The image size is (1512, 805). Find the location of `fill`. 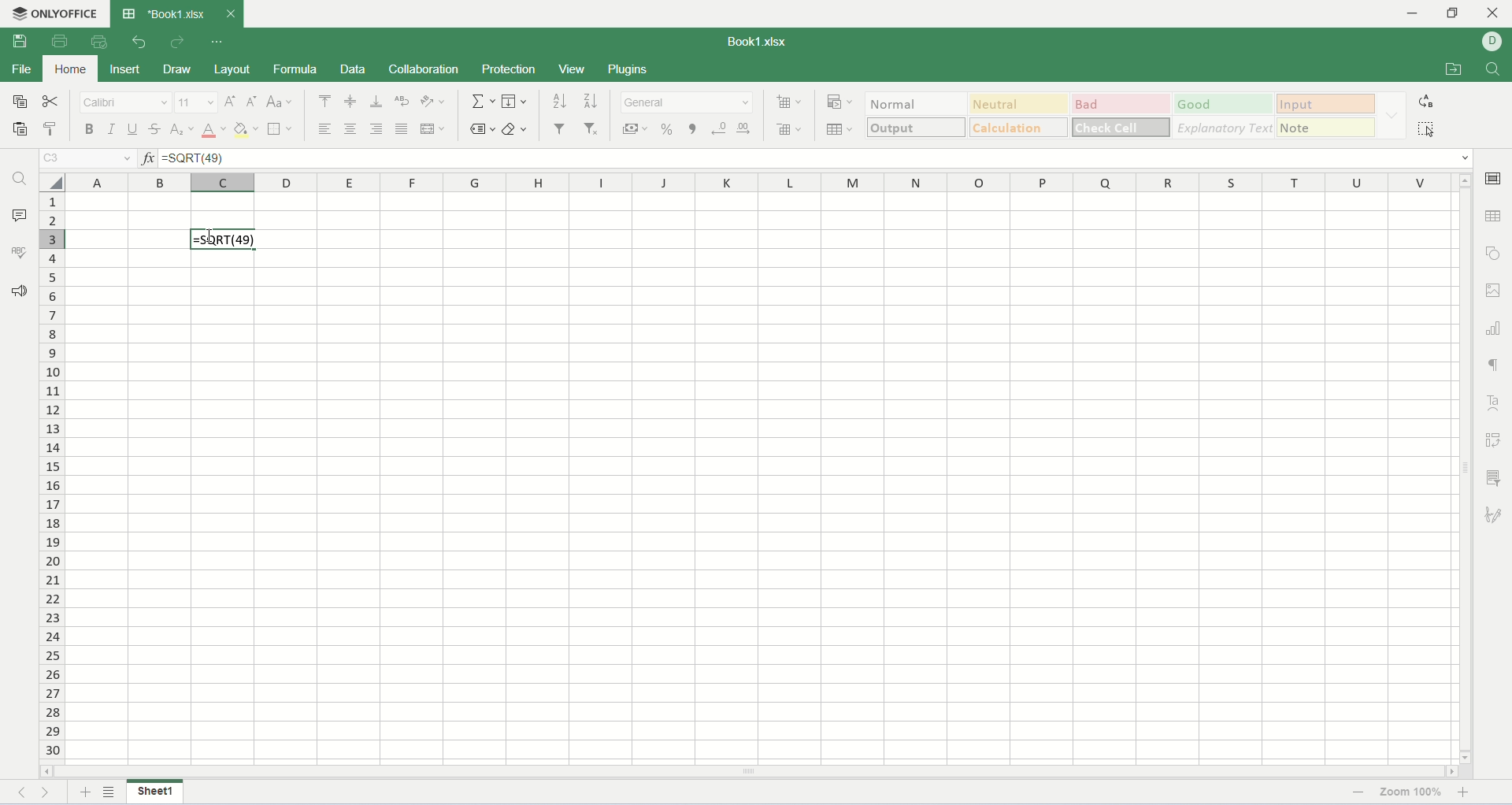

fill is located at coordinates (516, 101).